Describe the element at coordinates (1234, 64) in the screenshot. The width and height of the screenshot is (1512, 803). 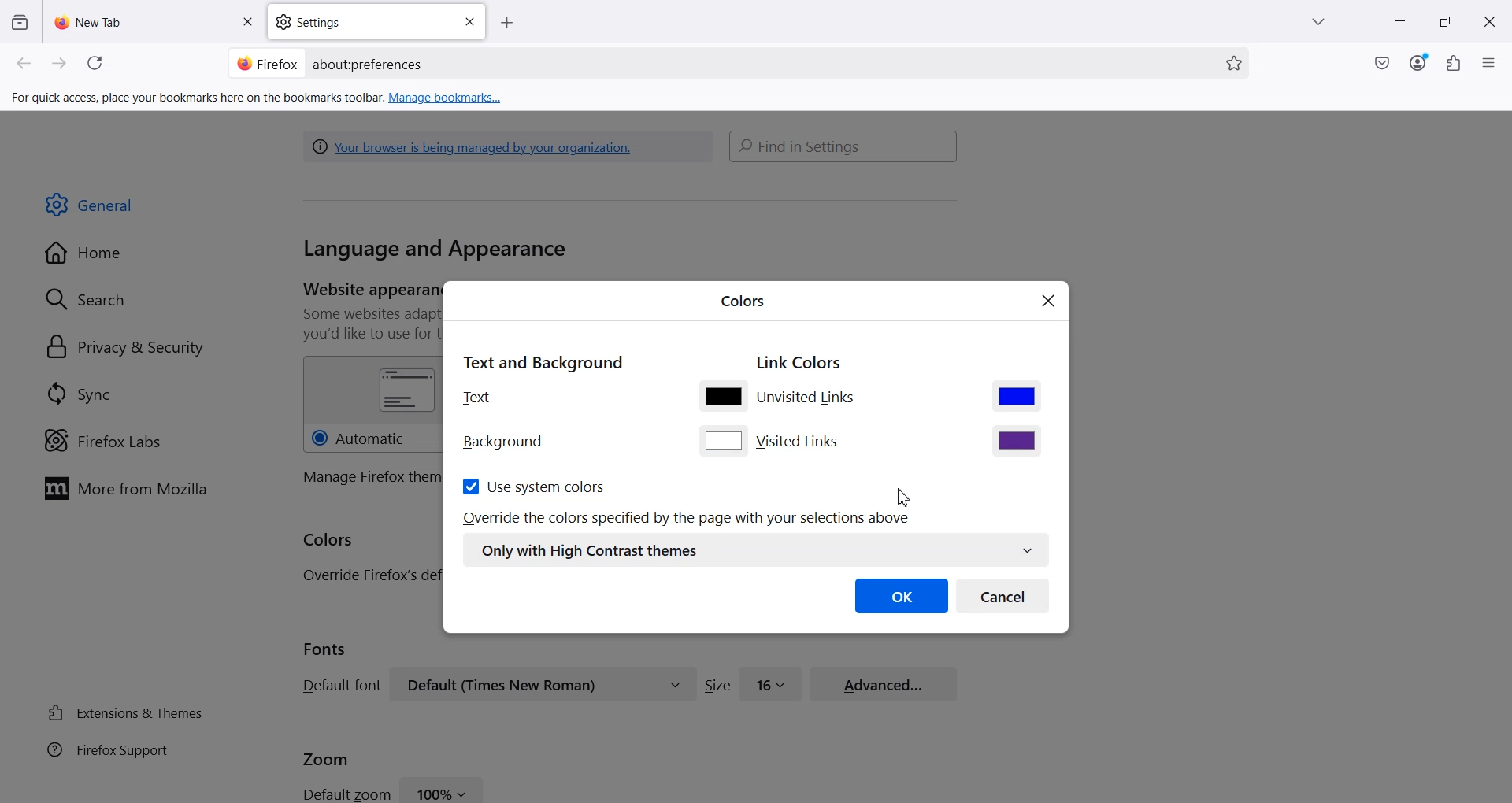
I see `Starred` at that location.